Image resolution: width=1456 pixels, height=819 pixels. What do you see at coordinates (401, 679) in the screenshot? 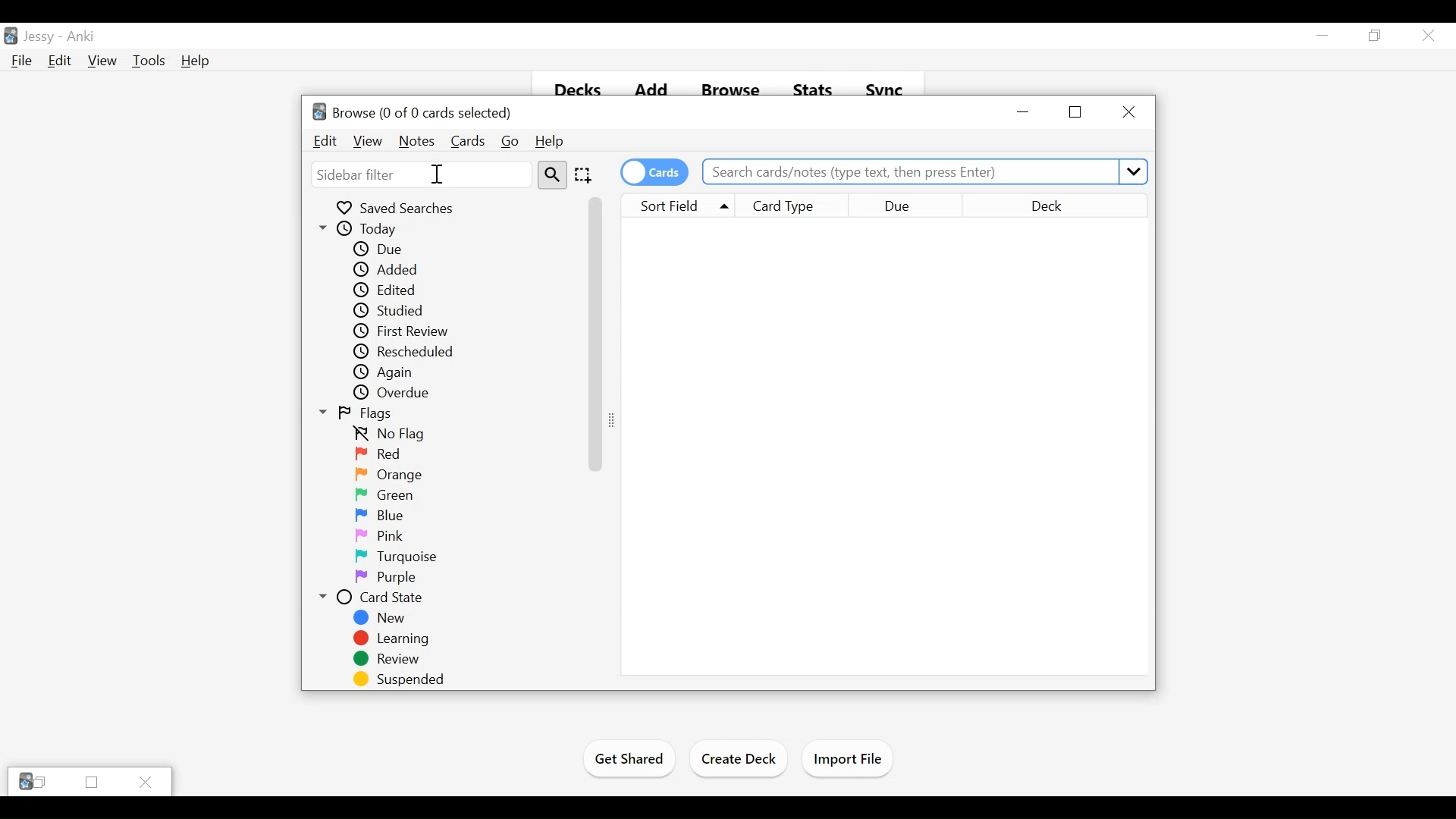
I see `Suspended` at bounding box center [401, 679].